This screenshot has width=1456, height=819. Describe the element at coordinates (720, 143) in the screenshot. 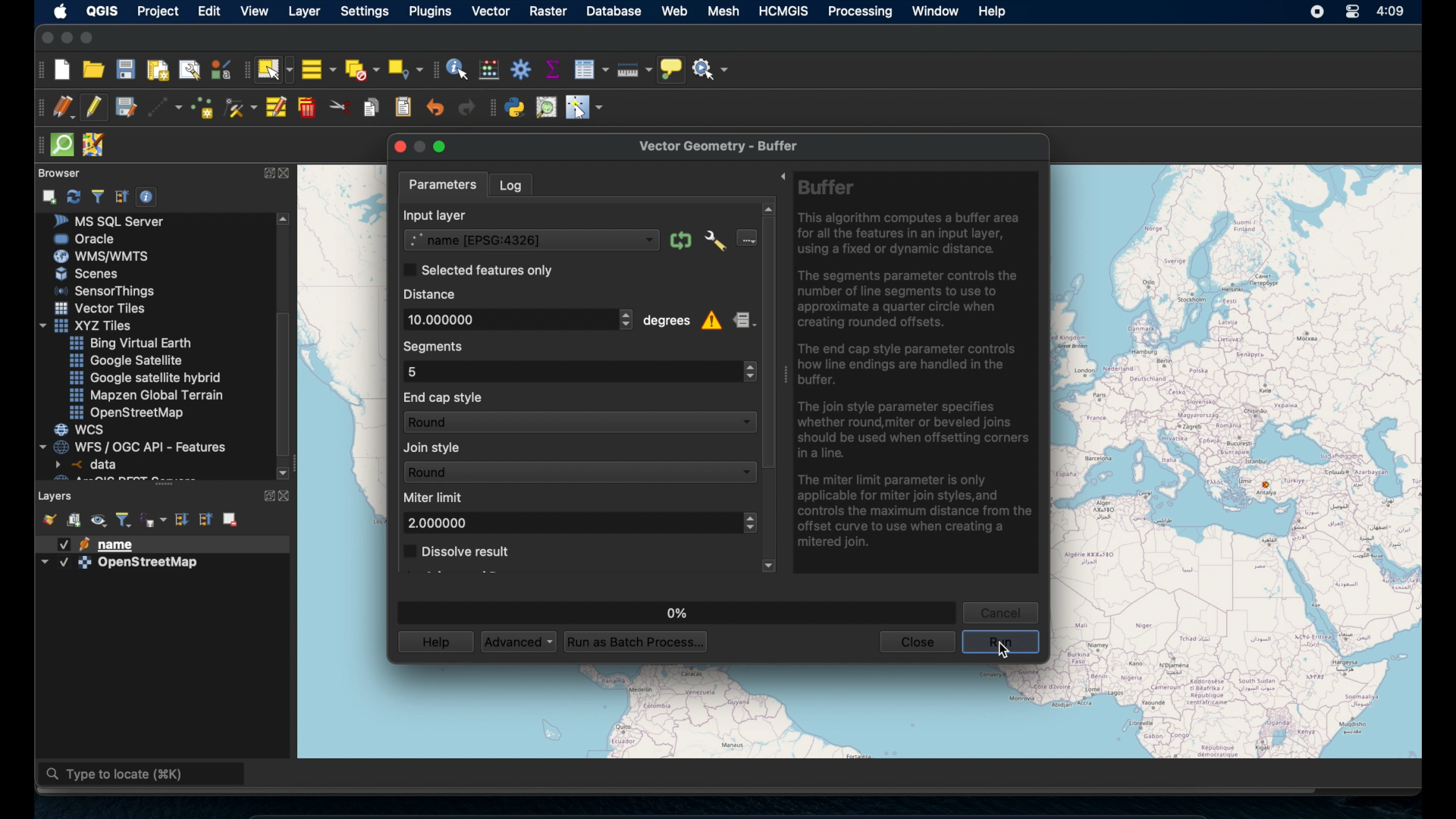

I see `vector geometry - buffer` at that location.